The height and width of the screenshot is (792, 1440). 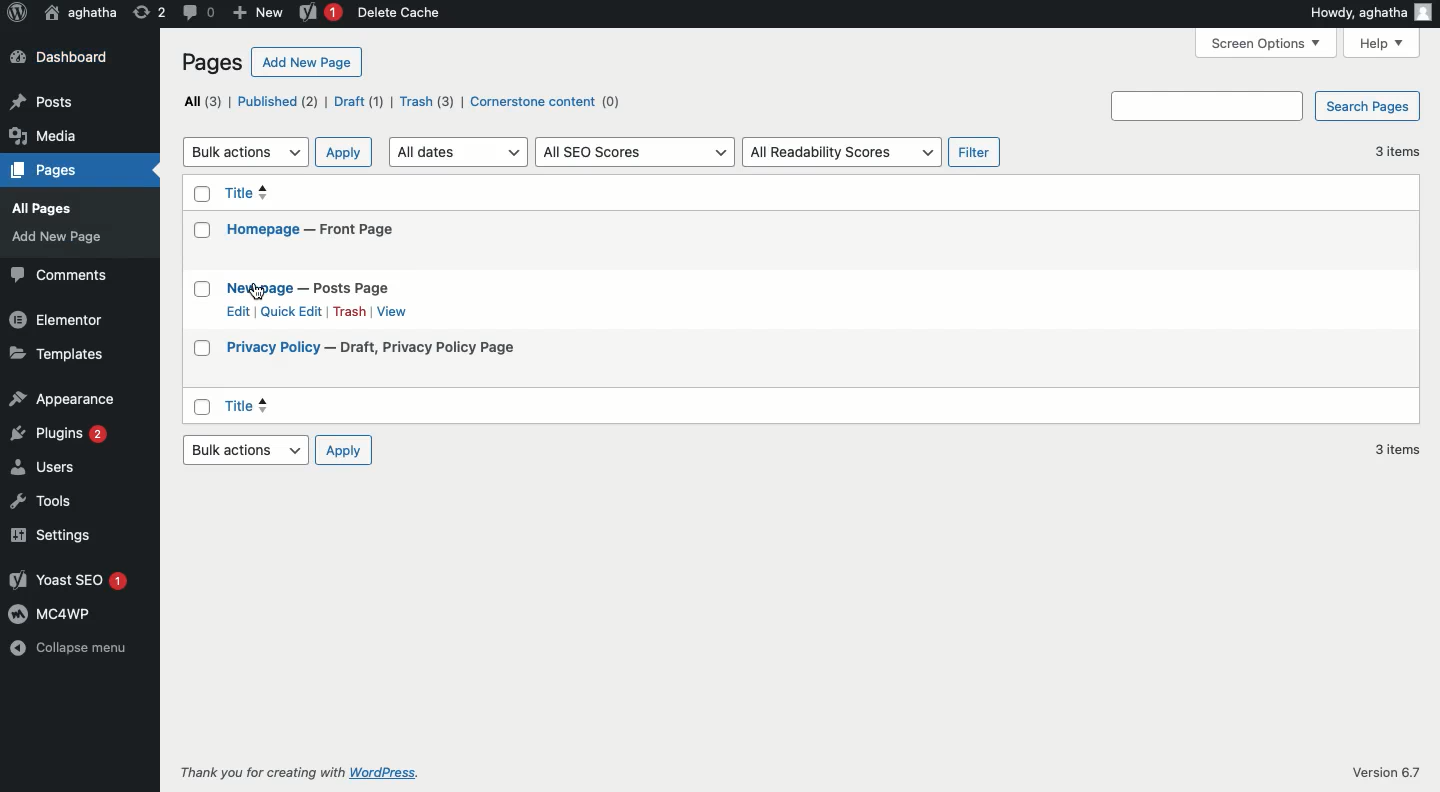 I want to click on Screen options, so click(x=1267, y=42).